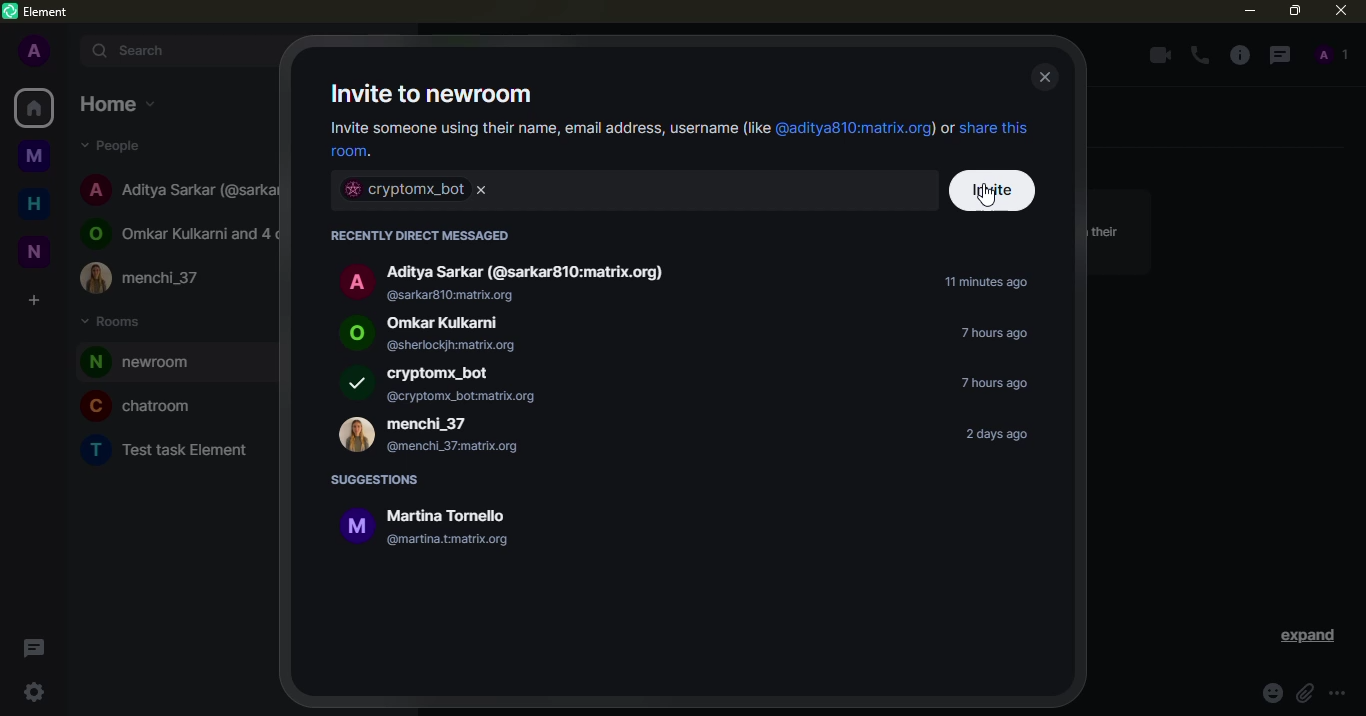 This screenshot has height=716, width=1366. What do you see at coordinates (432, 374) in the screenshot?
I see `cryptomx_bot` at bounding box center [432, 374].